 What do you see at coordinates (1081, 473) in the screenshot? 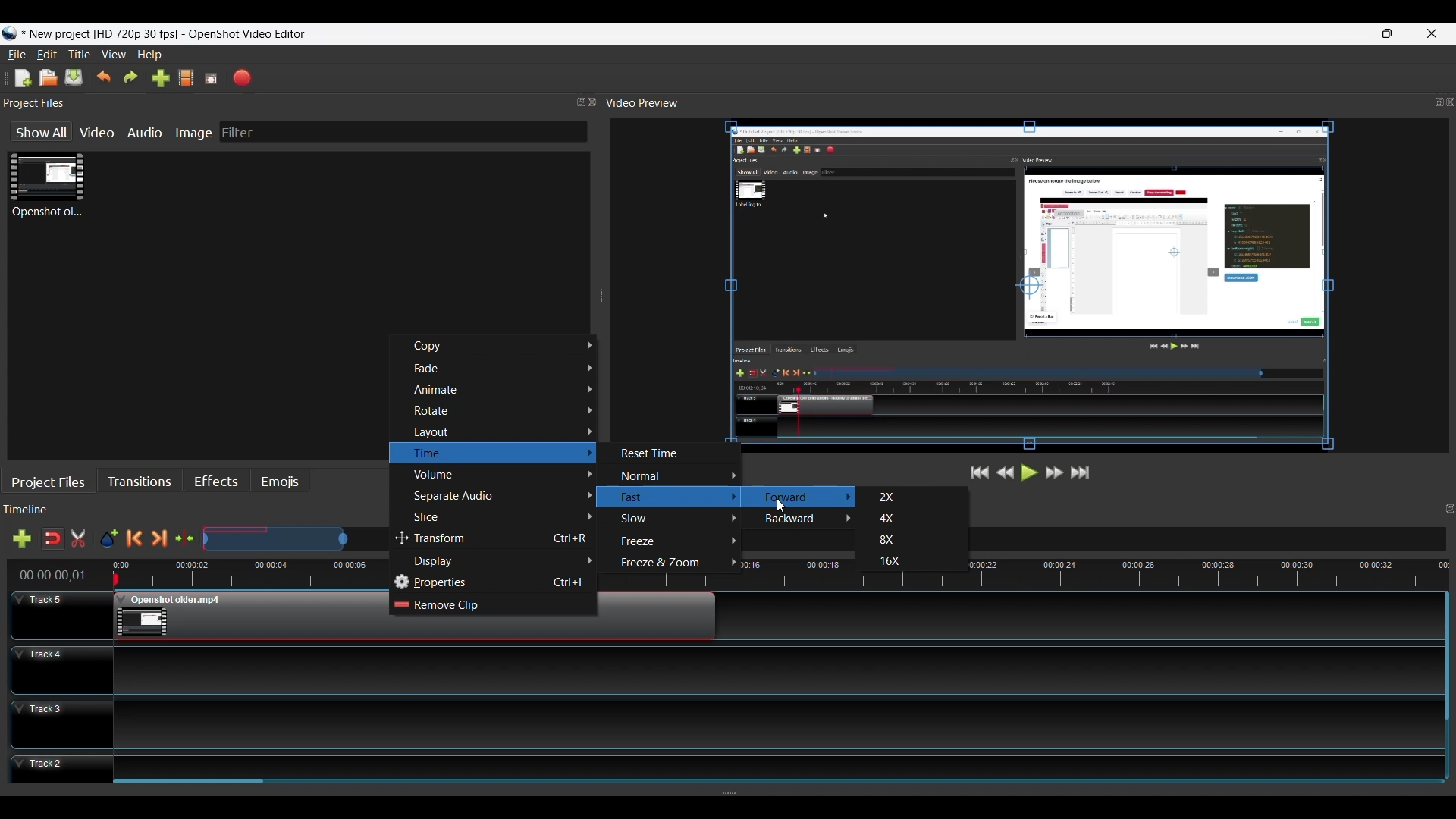
I see `Jump to the End` at bounding box center [1081, 473].